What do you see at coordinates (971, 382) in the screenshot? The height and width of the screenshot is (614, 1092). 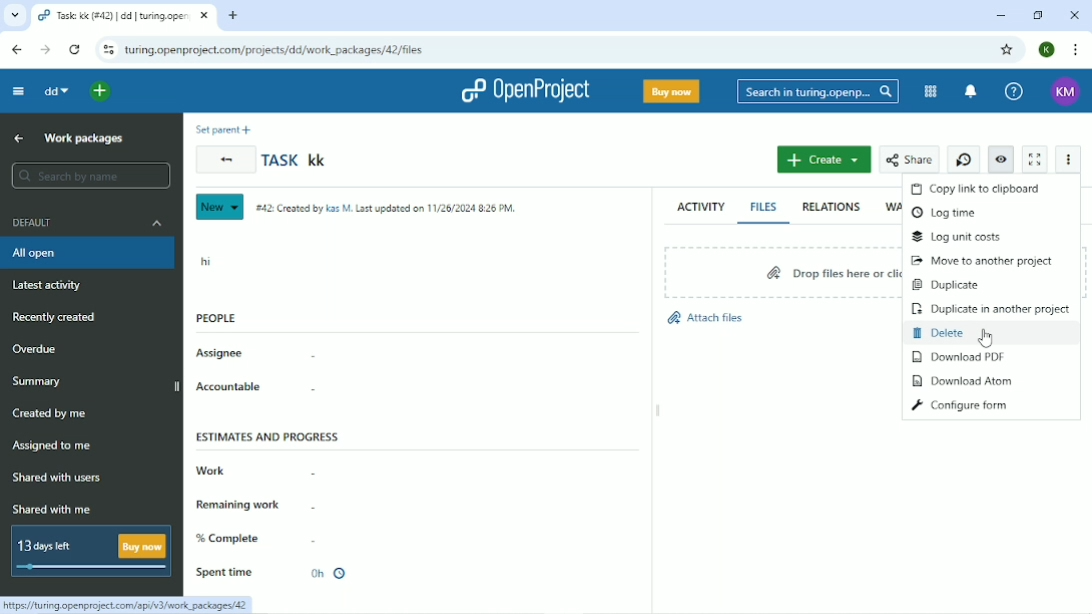 I see `Download Atom` at bounding box center [971, 382].